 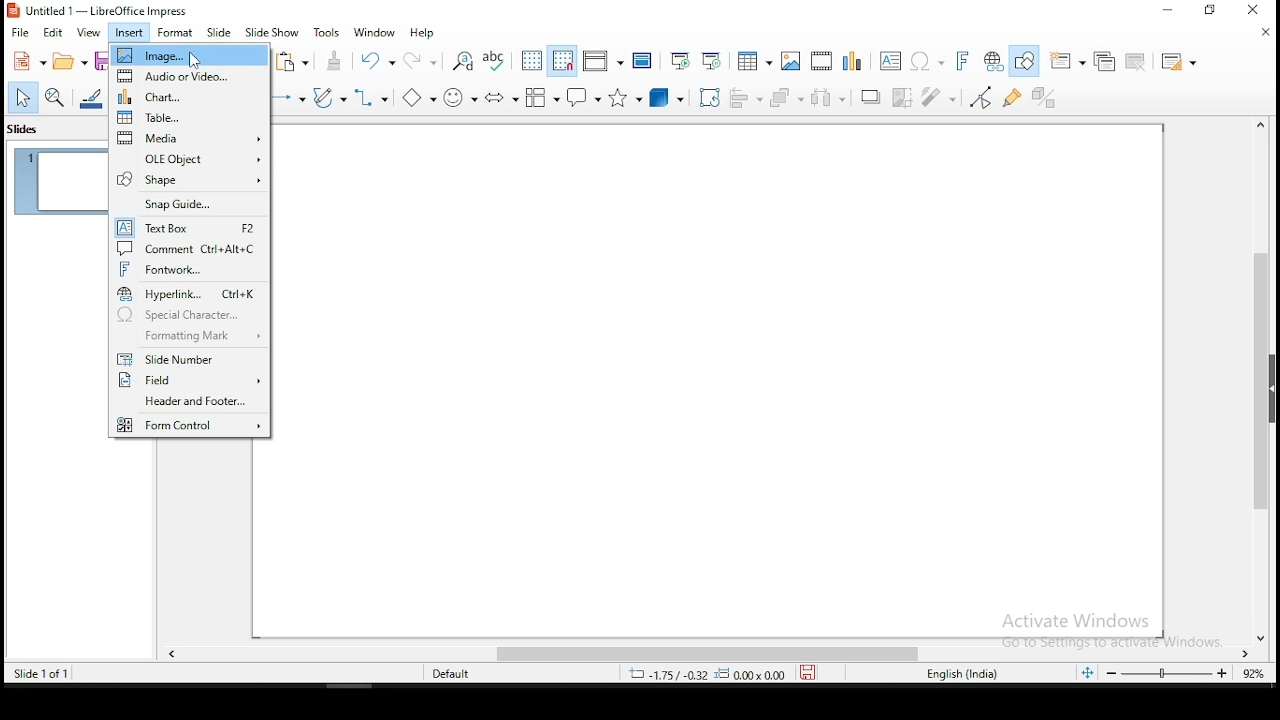 What do you see at coordinates (72, 61) in the screenshot?
I see `open` at bounding box center [72, 61].